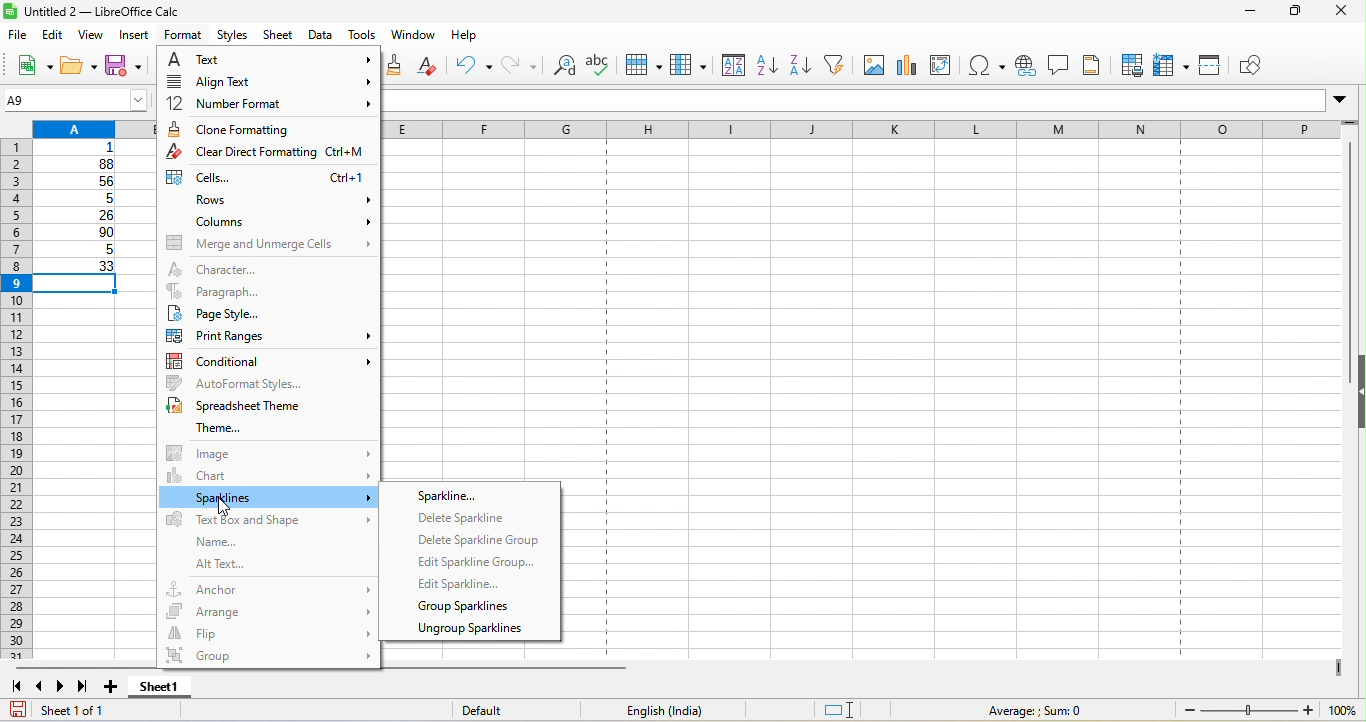  I want to click on file, so click(16, 33).